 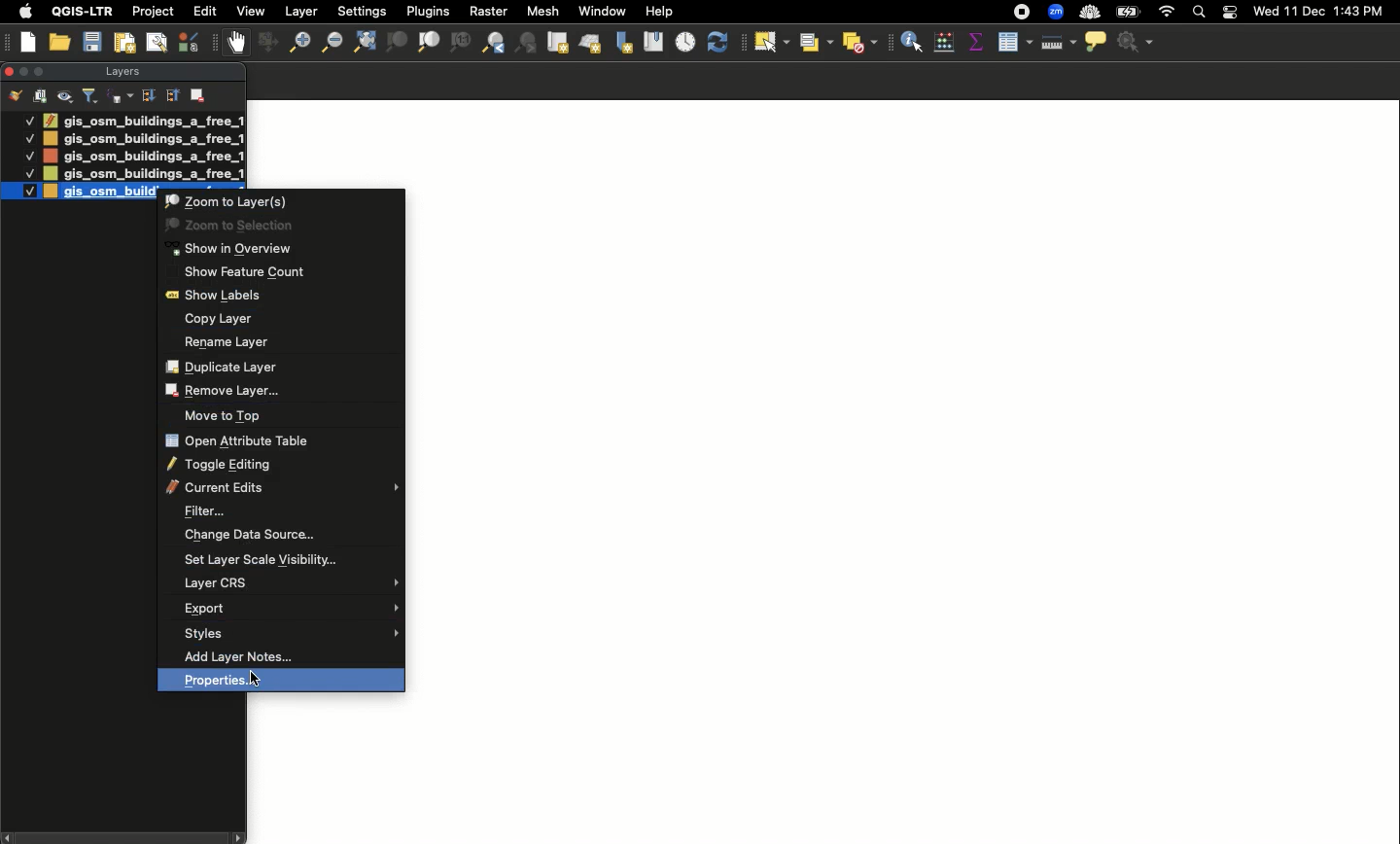 What do you see at coordinates (142, 174) in the screenshot?
I see `gis_osm_buildings_a_free_1` at bounding box center [142, 174].